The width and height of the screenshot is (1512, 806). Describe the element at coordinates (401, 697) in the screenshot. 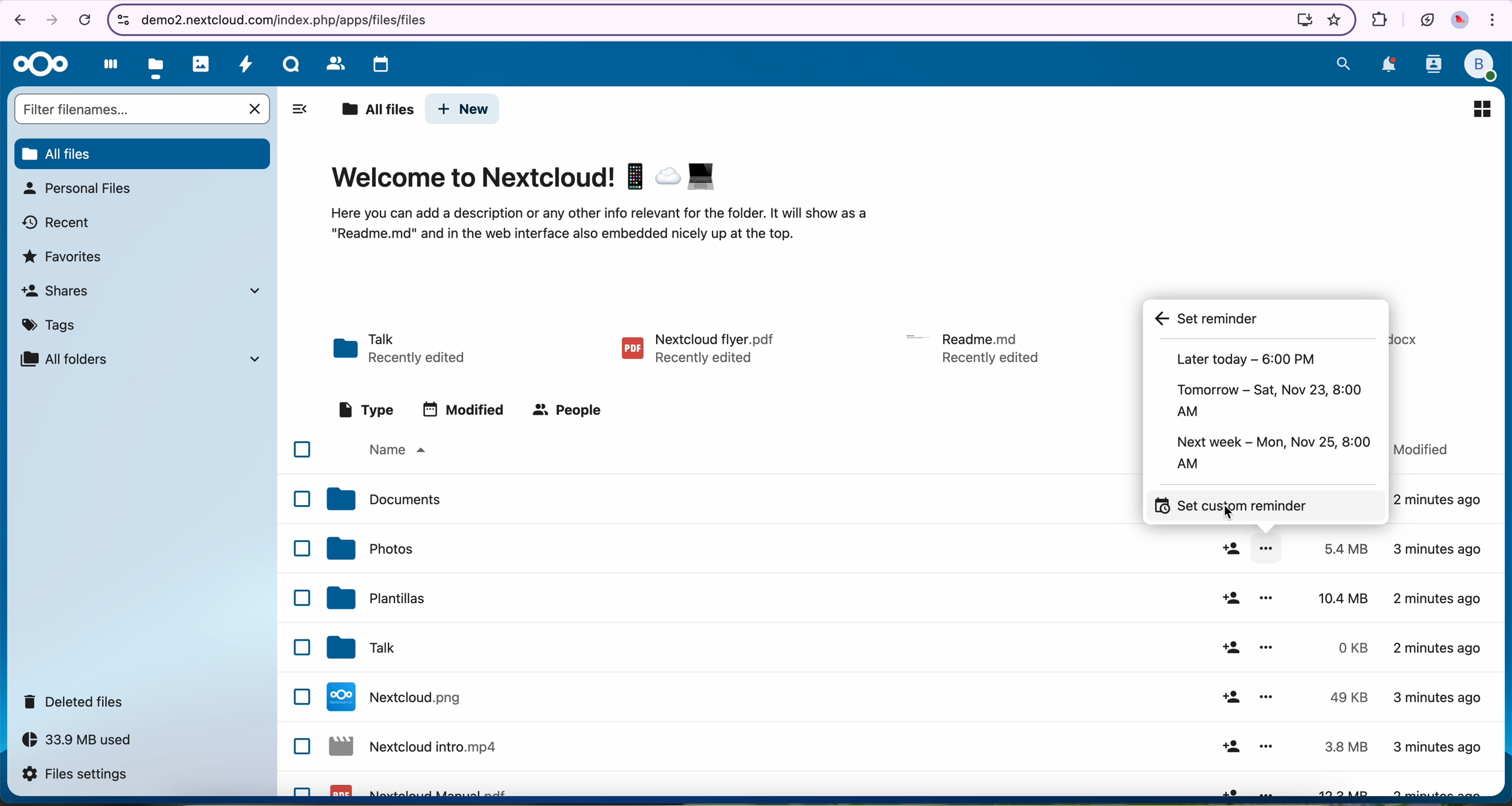

I see `Nextcloud file` at that location.